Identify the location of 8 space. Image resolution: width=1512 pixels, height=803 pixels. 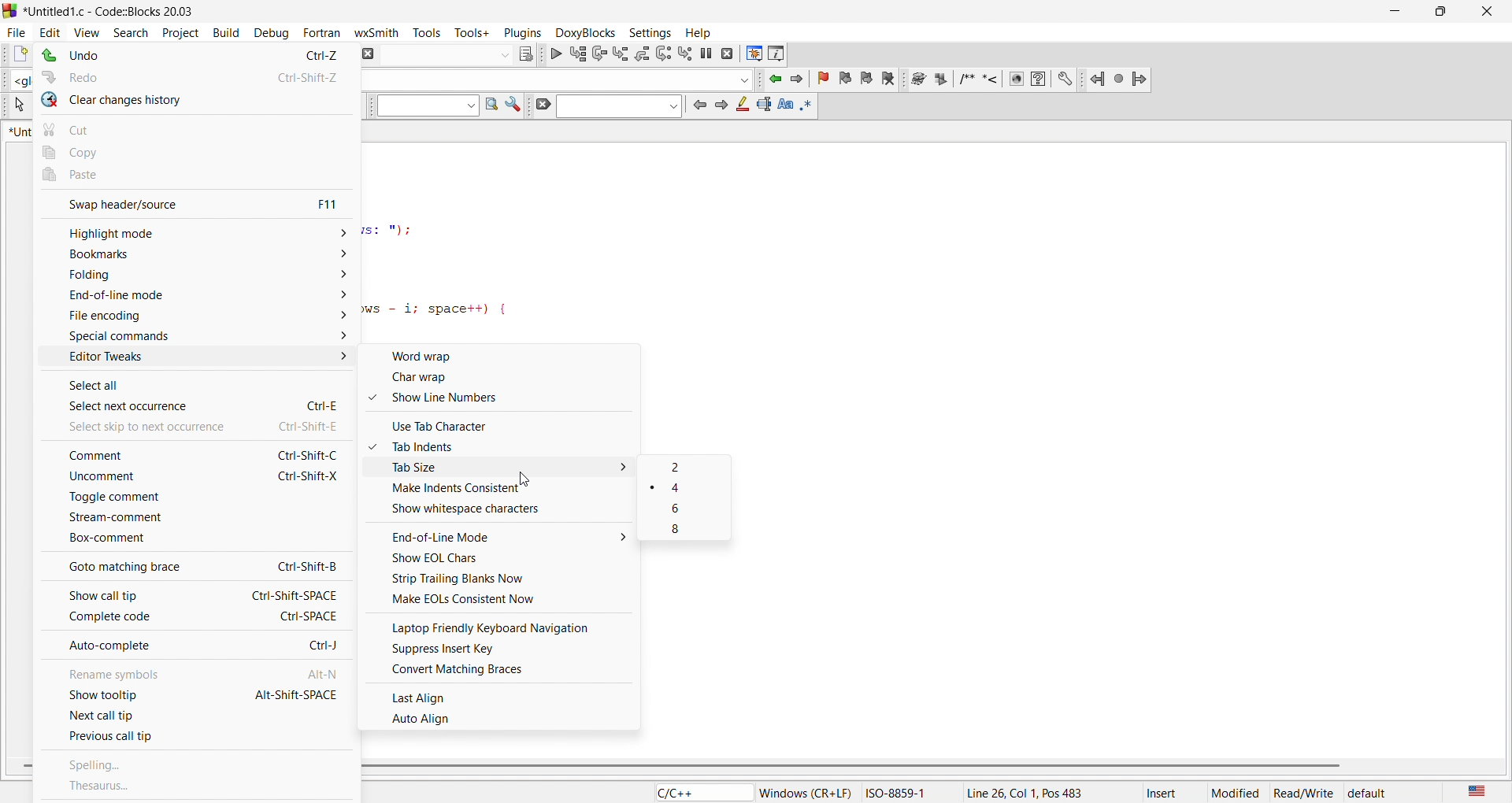
(688, 531).